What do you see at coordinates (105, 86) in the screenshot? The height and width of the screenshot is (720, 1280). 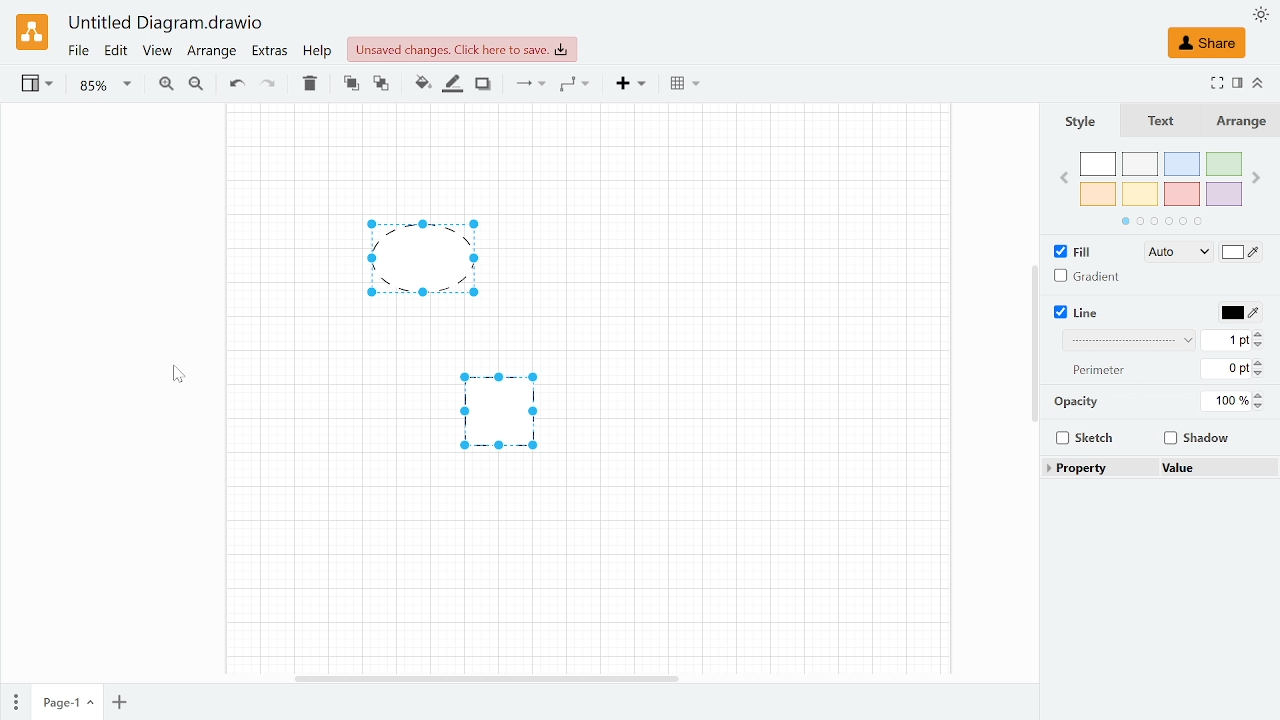 I see `Zoom` at bounding box center [105, 86].